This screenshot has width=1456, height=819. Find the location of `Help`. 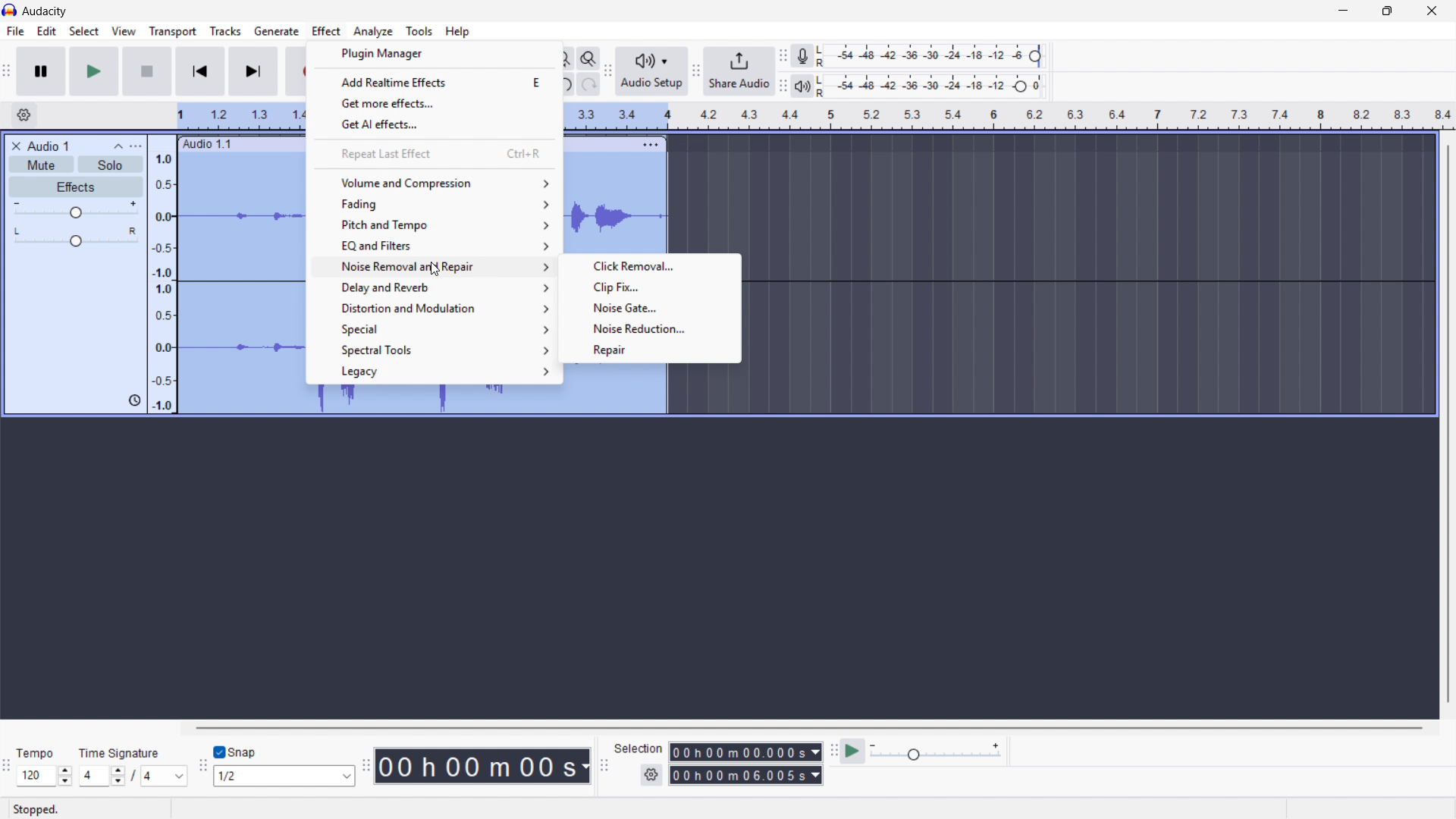

Help is located at coordinates (458, 32).